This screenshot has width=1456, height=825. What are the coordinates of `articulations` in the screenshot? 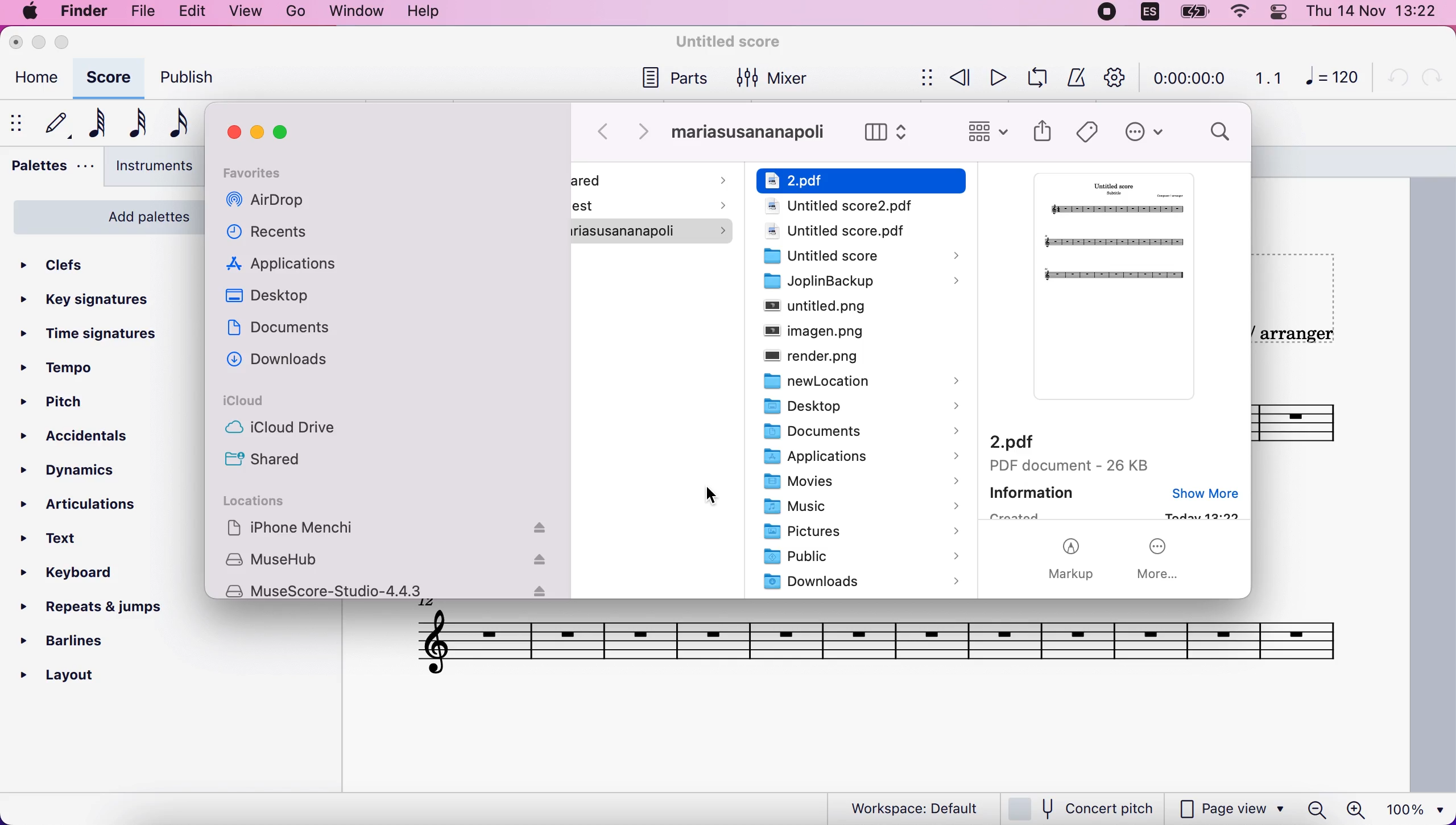 It's located at (78, 505).